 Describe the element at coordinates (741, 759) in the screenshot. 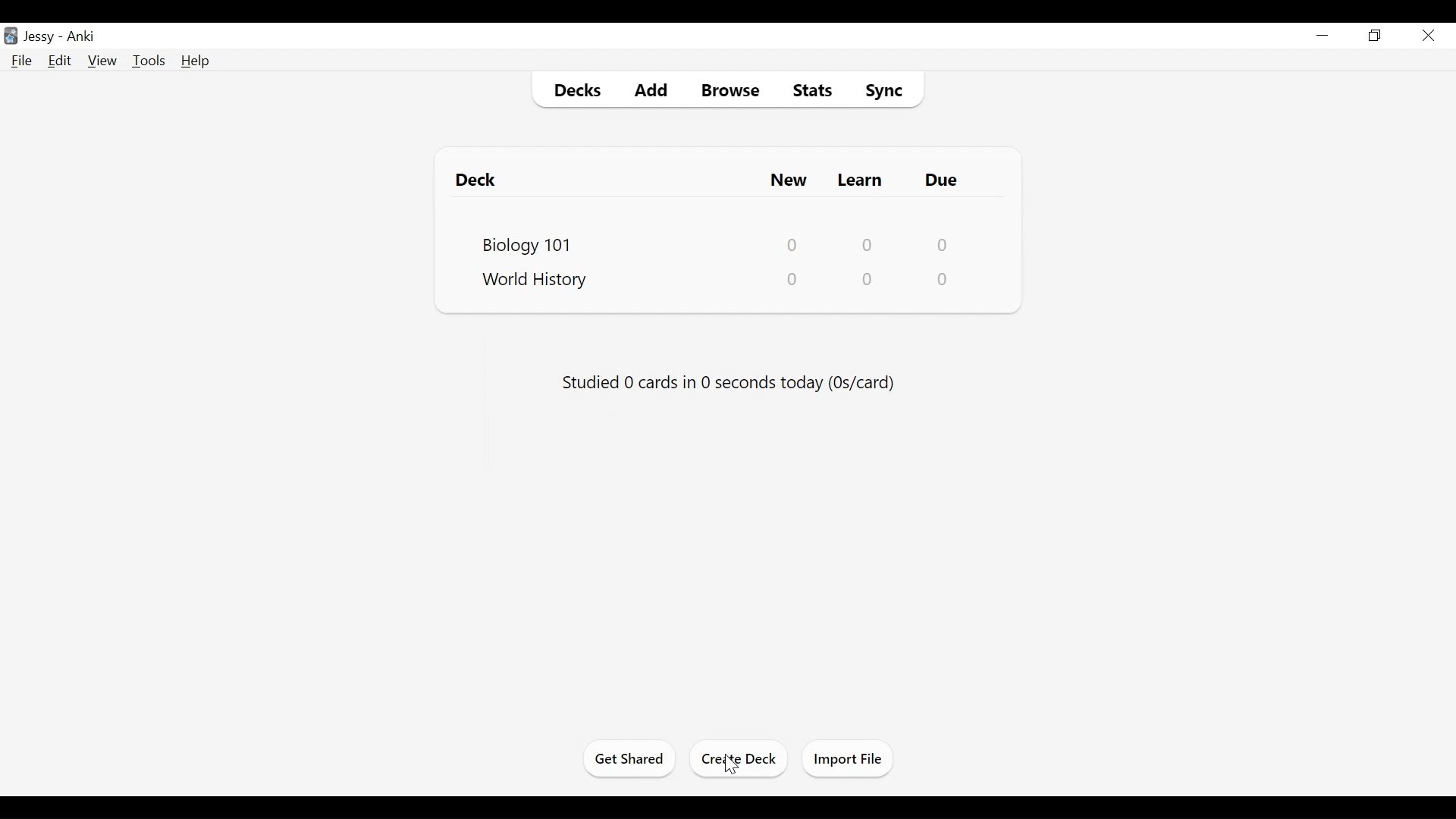

I see `Create Deck` at that location.